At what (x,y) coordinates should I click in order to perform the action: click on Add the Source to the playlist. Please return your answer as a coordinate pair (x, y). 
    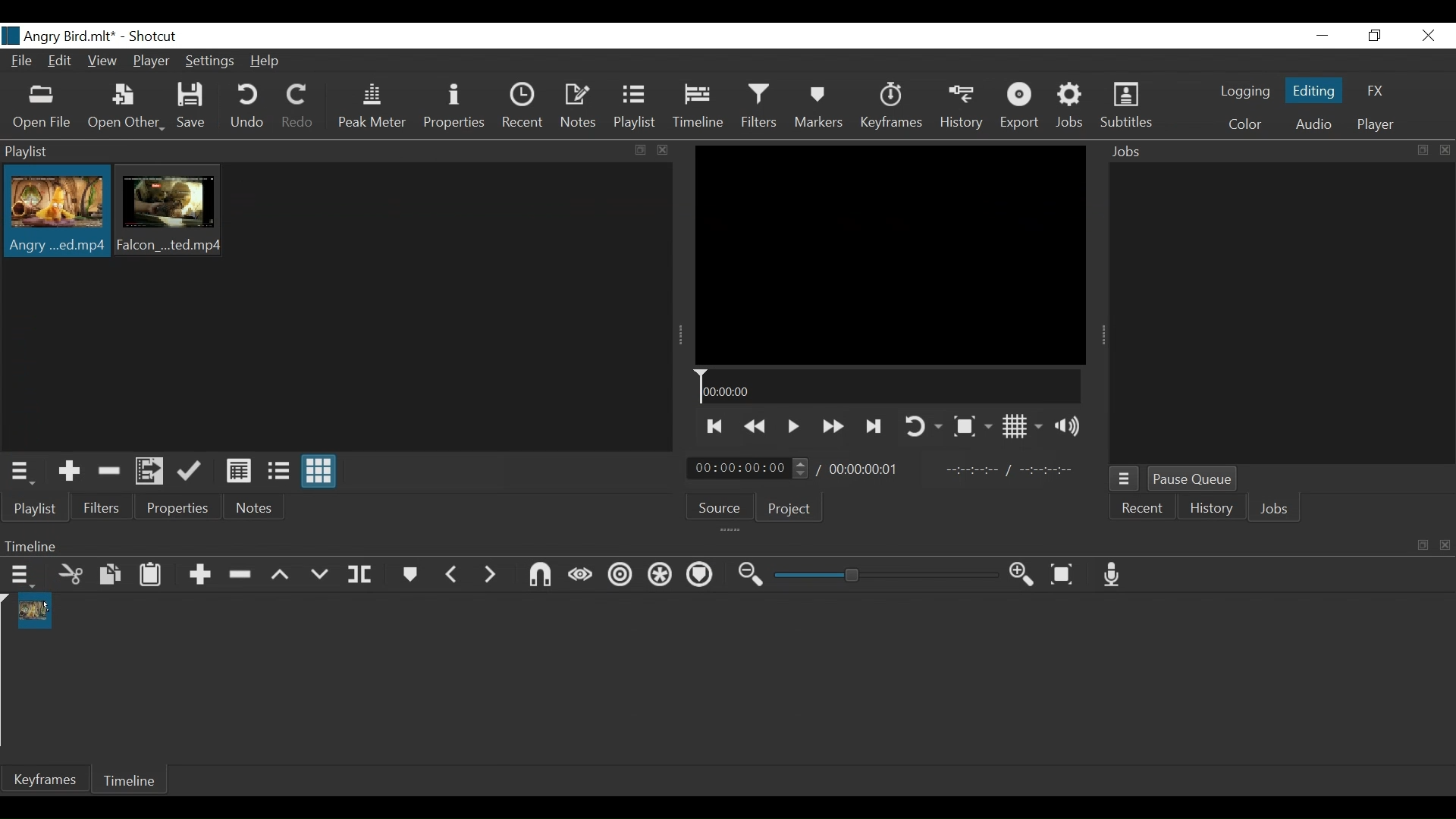
    Looking at the image, I should click on (67, 472).